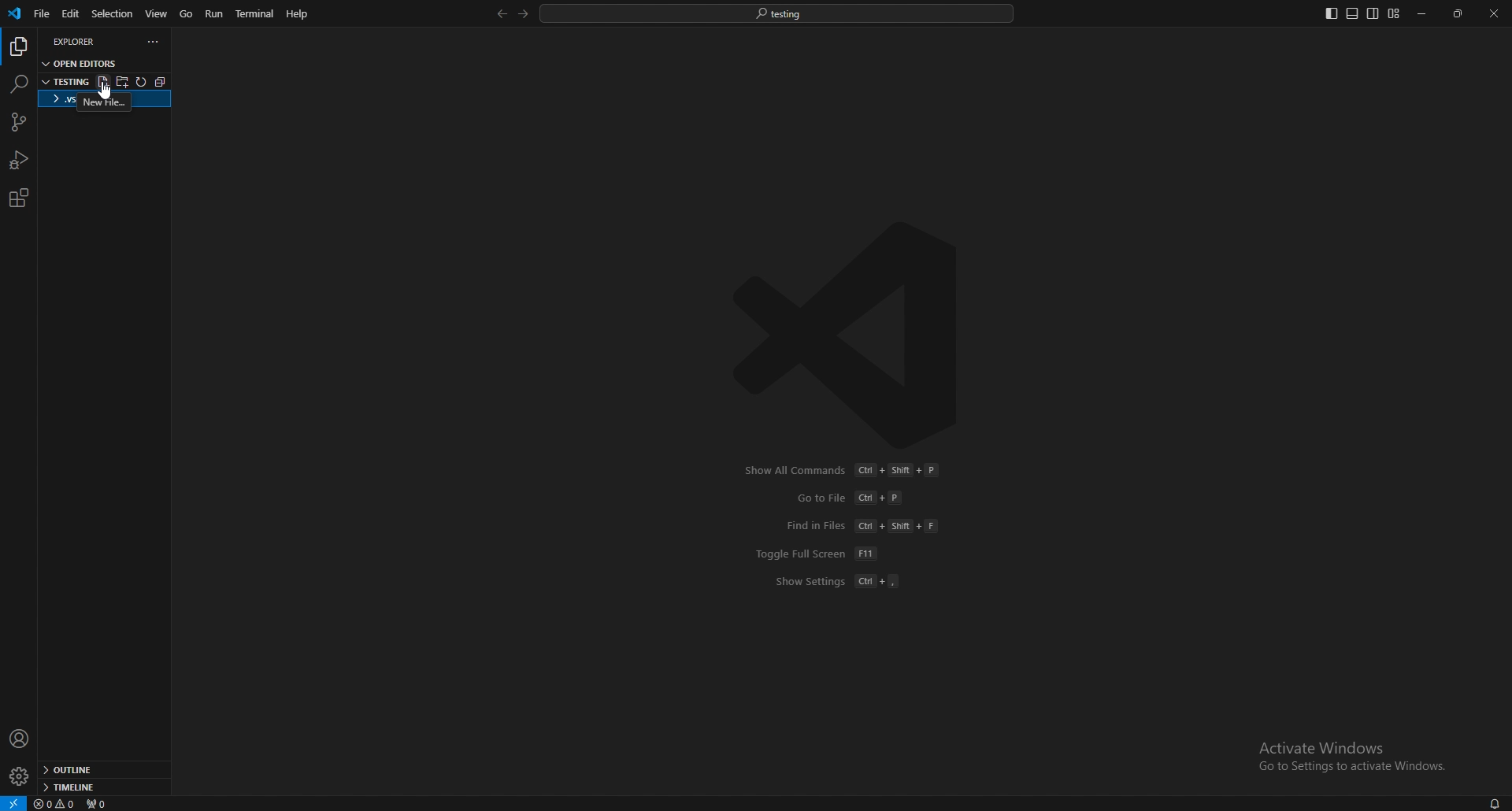 This screenshot has width=1512, height=811. Describe the element at coordinates (102, 82) in the screenshot. I see `new file` at that location.